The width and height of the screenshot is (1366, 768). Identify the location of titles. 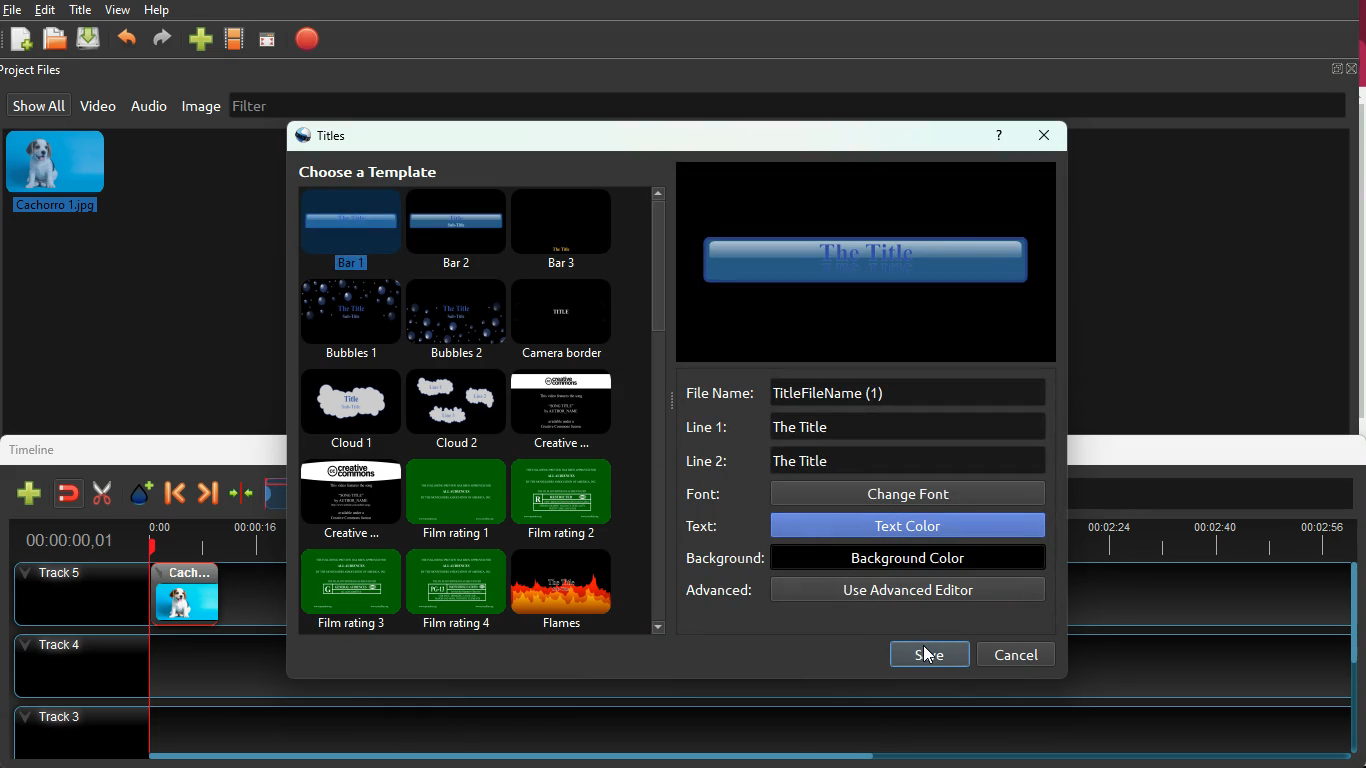
(324, 137).